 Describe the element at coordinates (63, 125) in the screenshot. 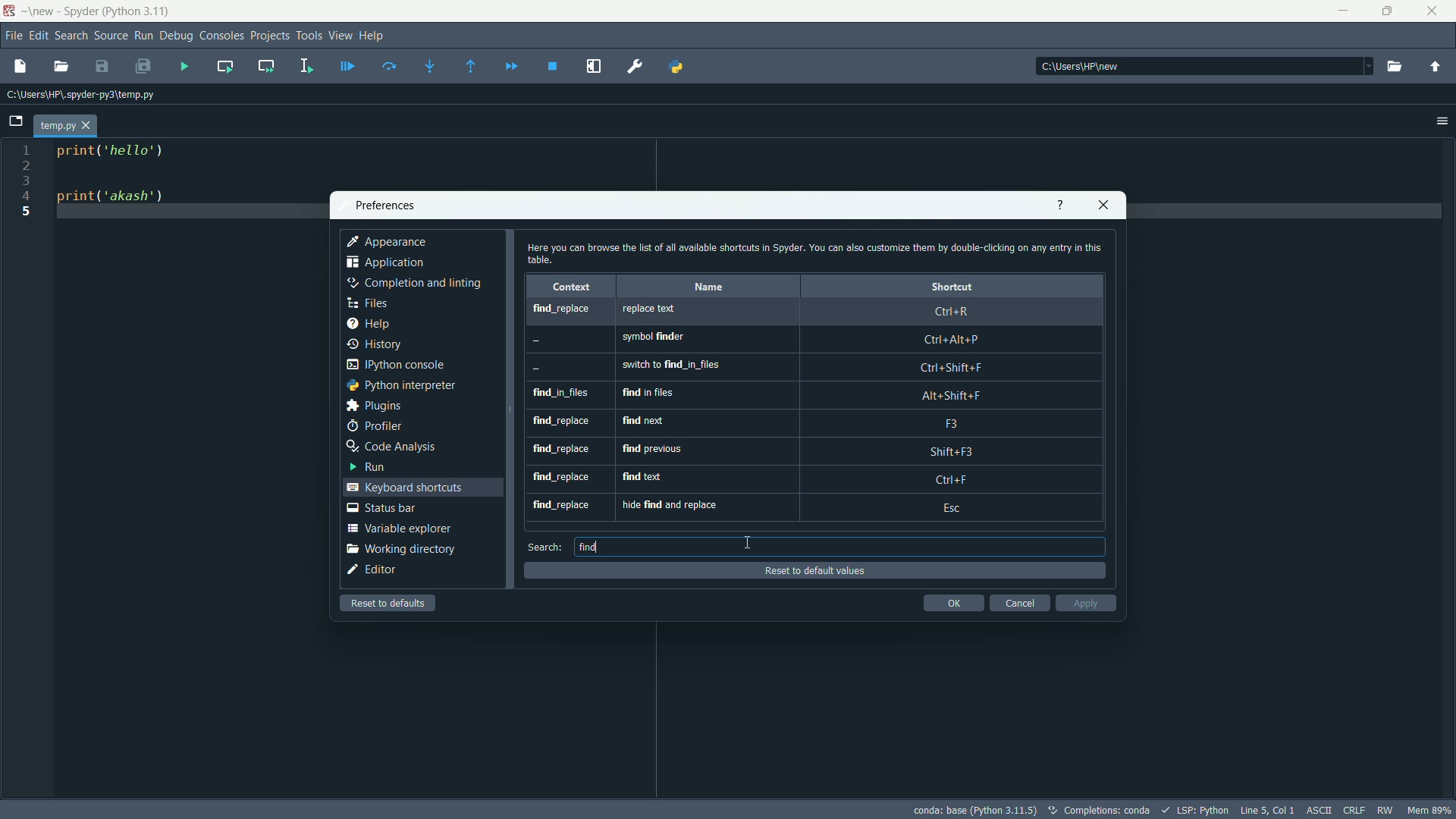

I see `temp.py tab` at that location.